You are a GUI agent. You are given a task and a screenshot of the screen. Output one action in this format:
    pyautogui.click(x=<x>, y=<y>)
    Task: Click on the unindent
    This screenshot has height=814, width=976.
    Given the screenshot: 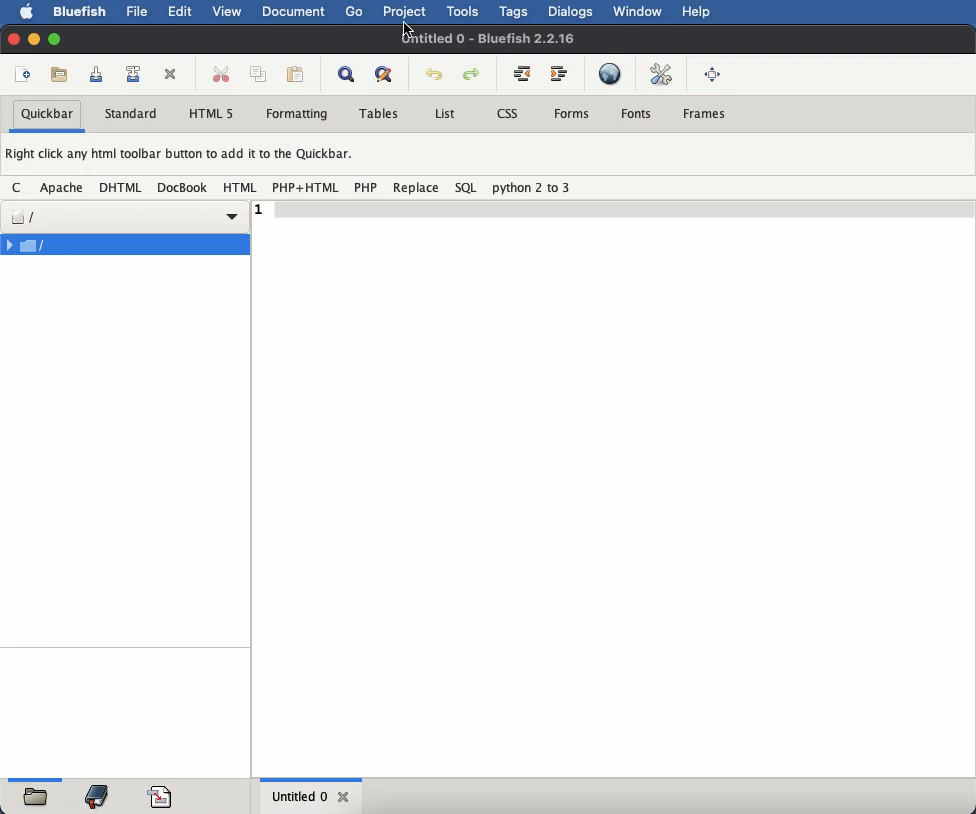 What is the action you would take?
    pyautogui.click(x=523, y=73)
    